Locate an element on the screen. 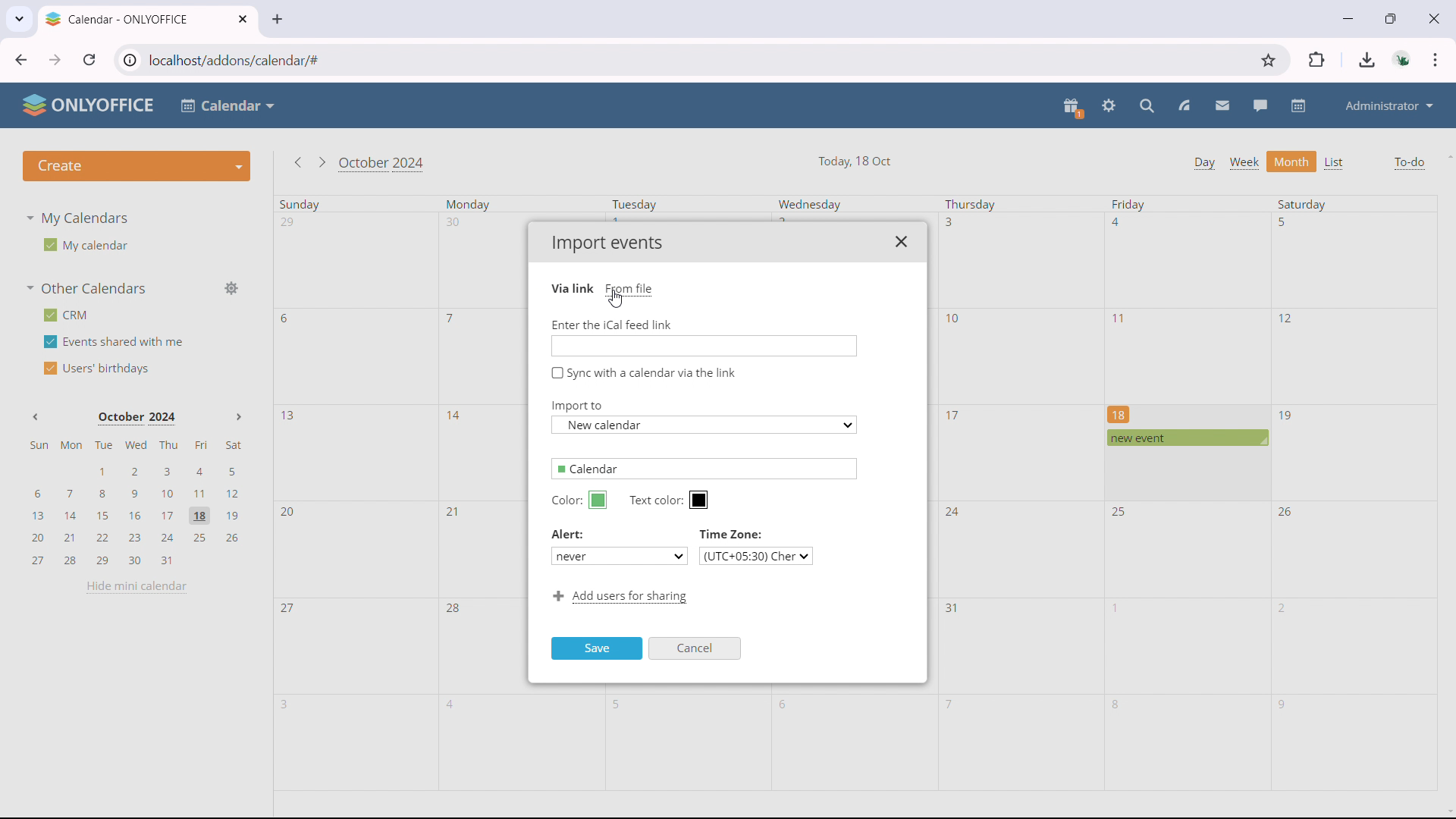 The image size is (1456, 819). (UTC+05:30) Cher is located at coordinates (758, 557).